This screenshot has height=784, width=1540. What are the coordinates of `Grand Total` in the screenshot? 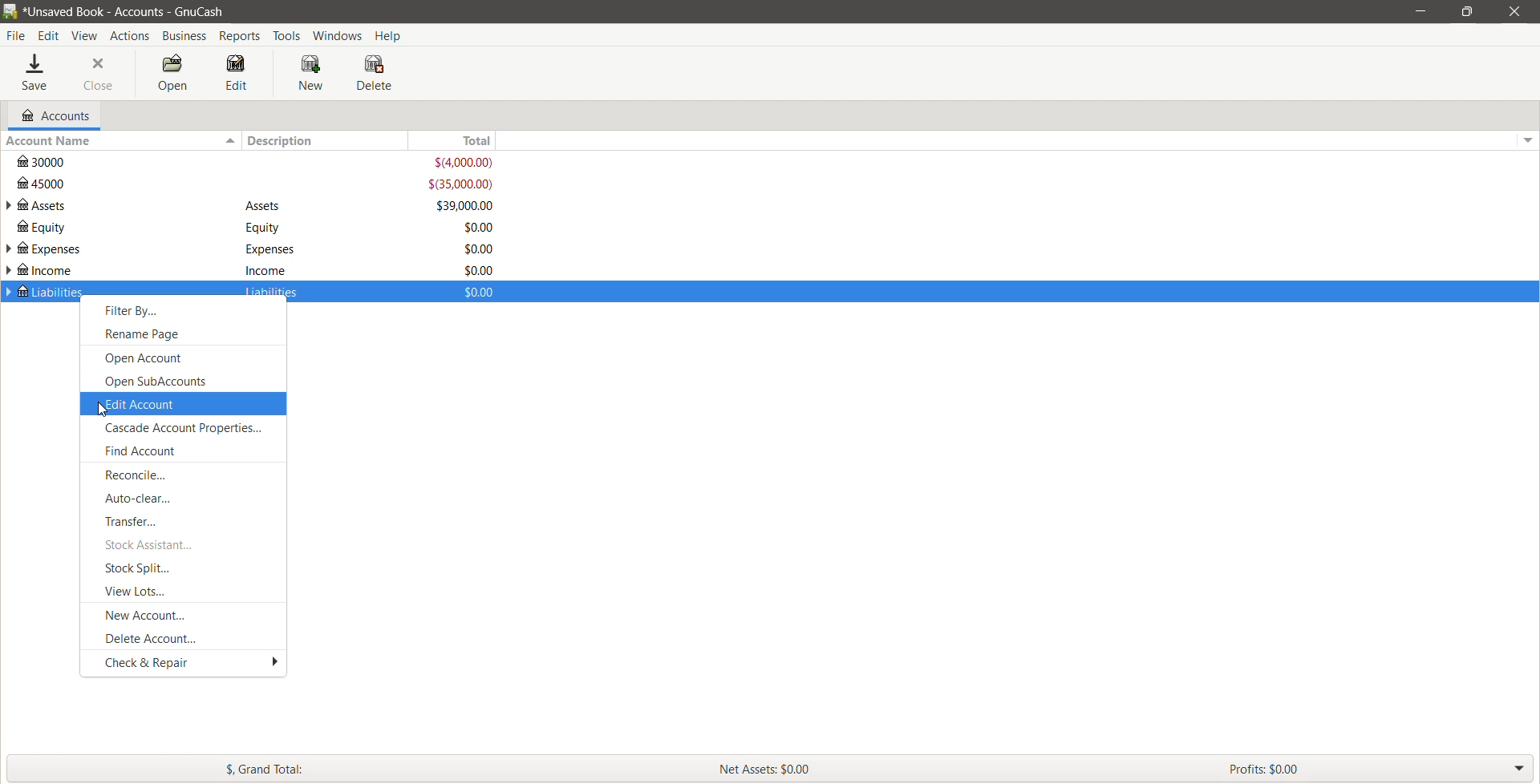 It's located at (349, 768).